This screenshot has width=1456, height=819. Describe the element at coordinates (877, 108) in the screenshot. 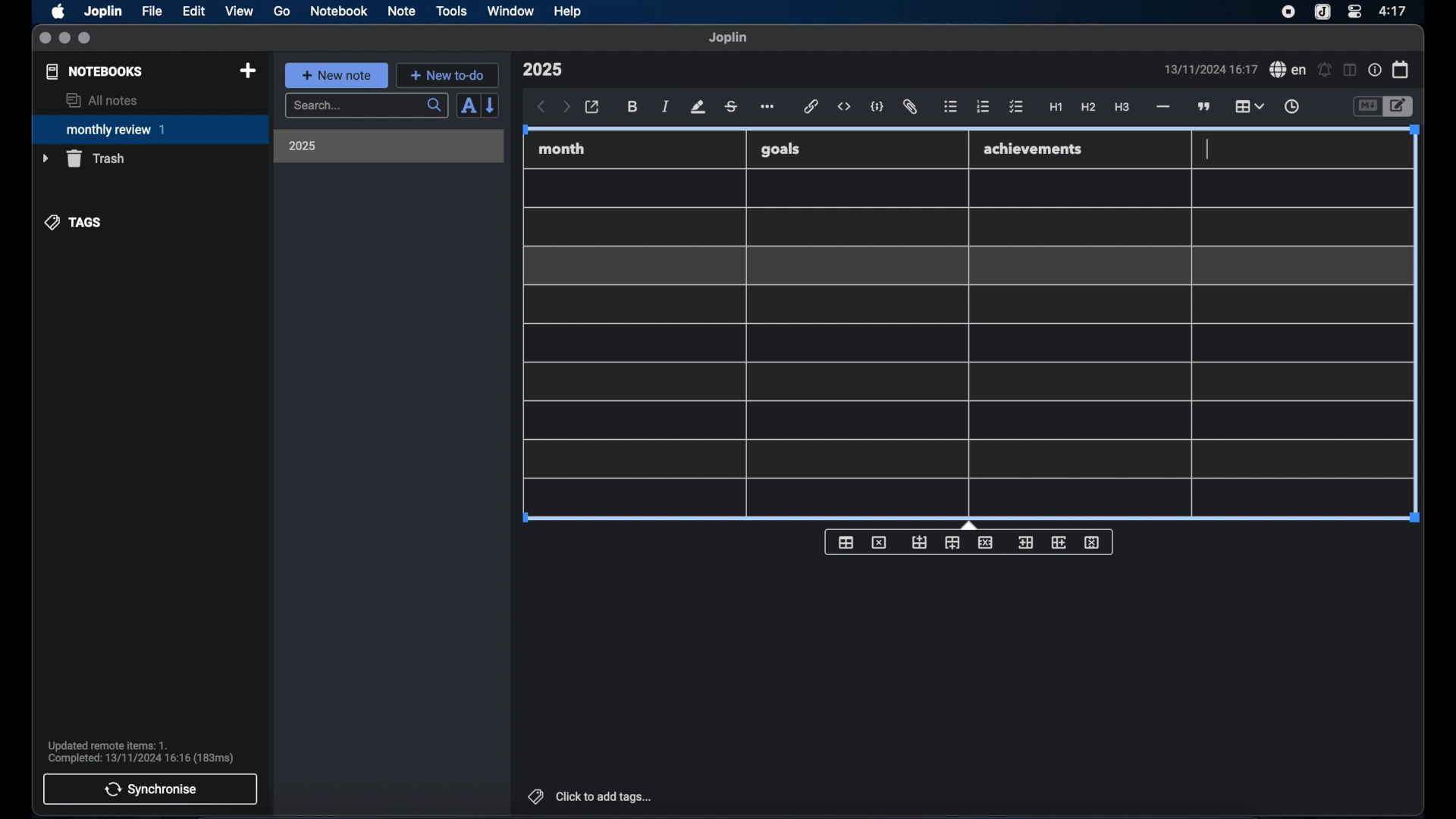

I see `code` at that location.